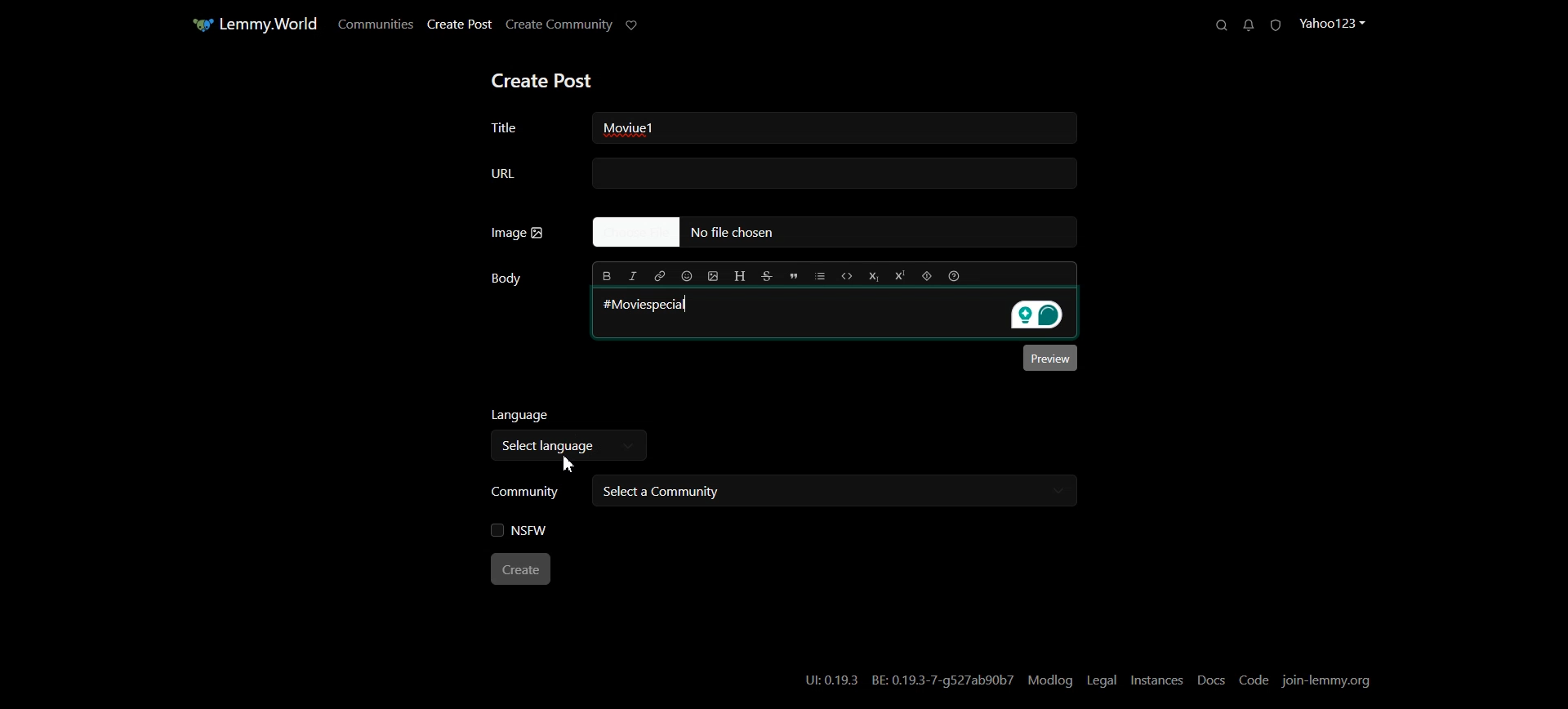 The width and height of the screenshot is (1568, 709). What do you see at coordinates (831, 491) in the screenshot?
I see `Select a community` at bounding box center [831, 491].